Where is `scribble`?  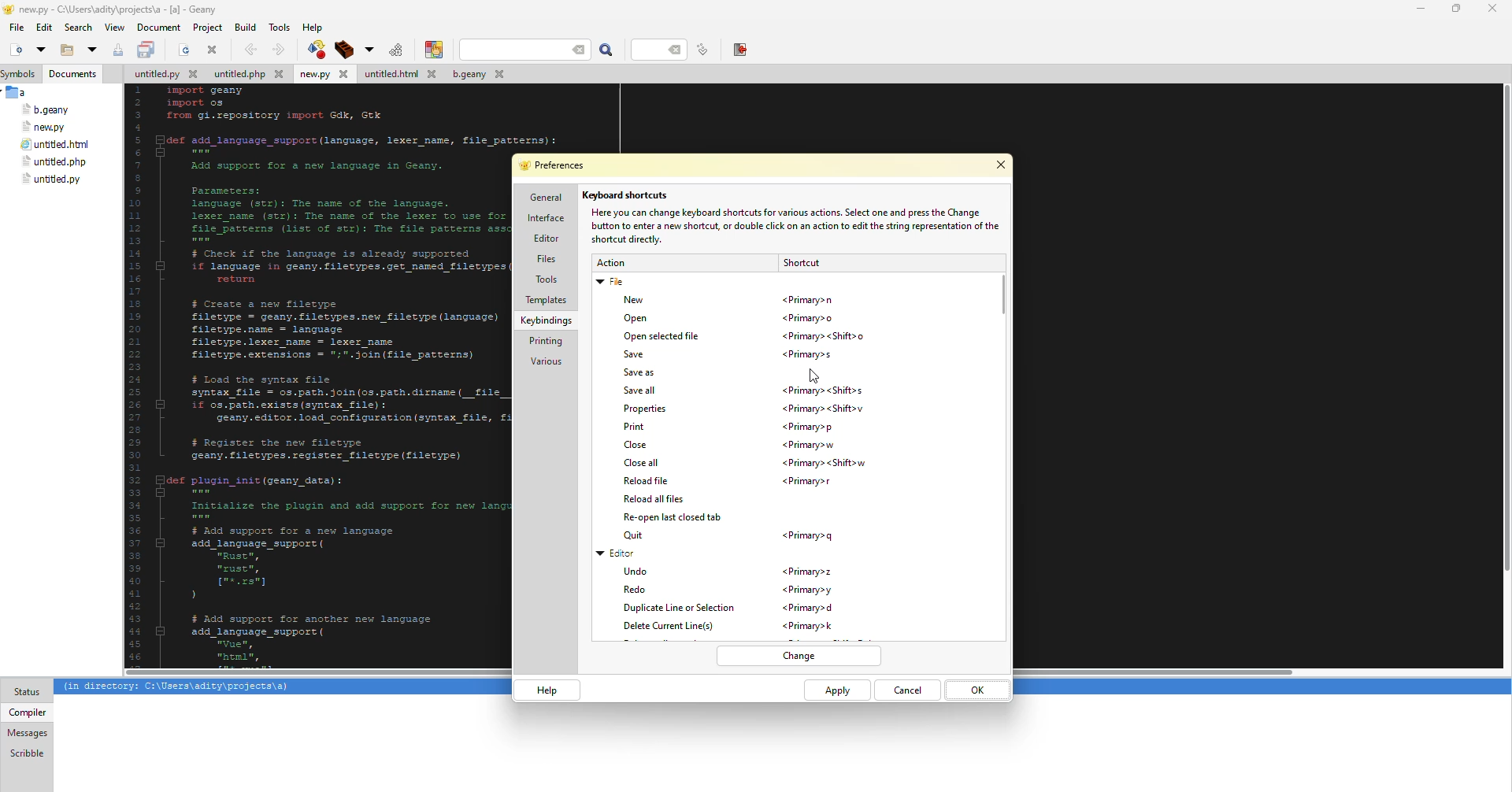 scribble is located at coordinates (25, 753).